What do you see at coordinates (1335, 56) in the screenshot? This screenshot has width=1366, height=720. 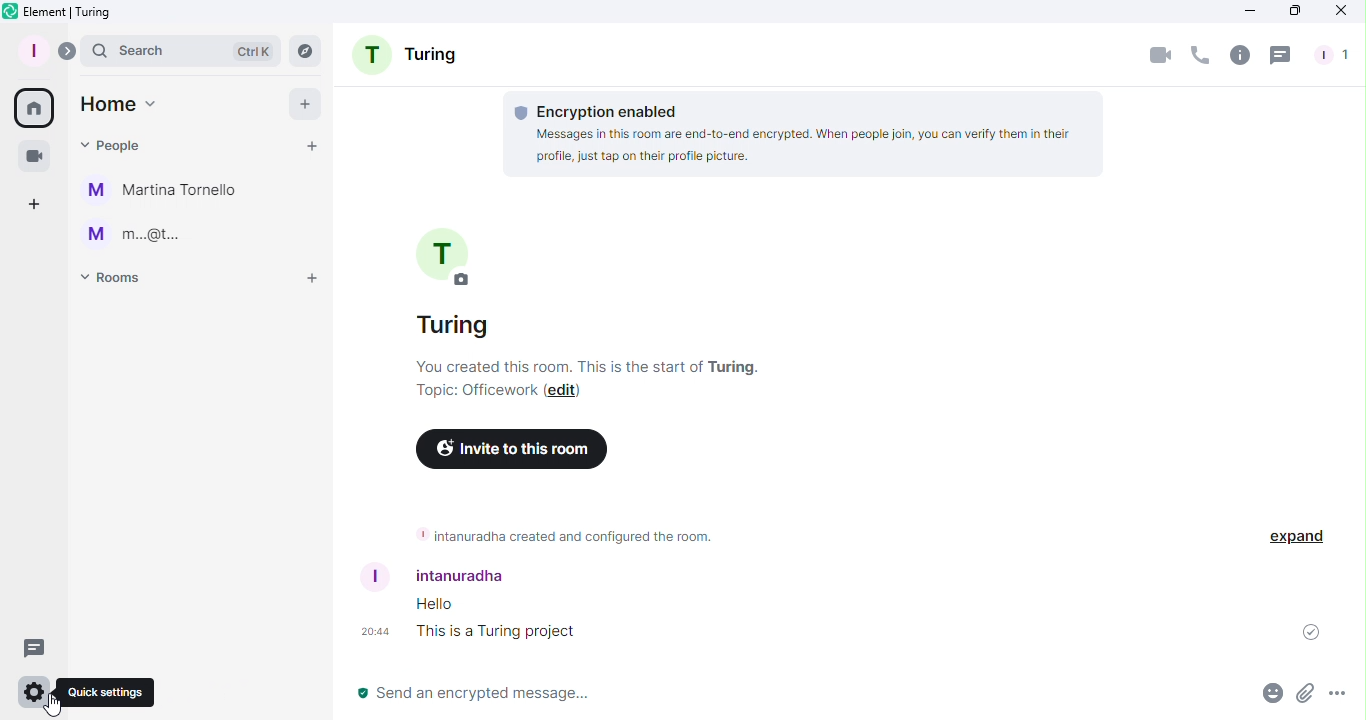 I see `People` at bounding box center [1335, 56].